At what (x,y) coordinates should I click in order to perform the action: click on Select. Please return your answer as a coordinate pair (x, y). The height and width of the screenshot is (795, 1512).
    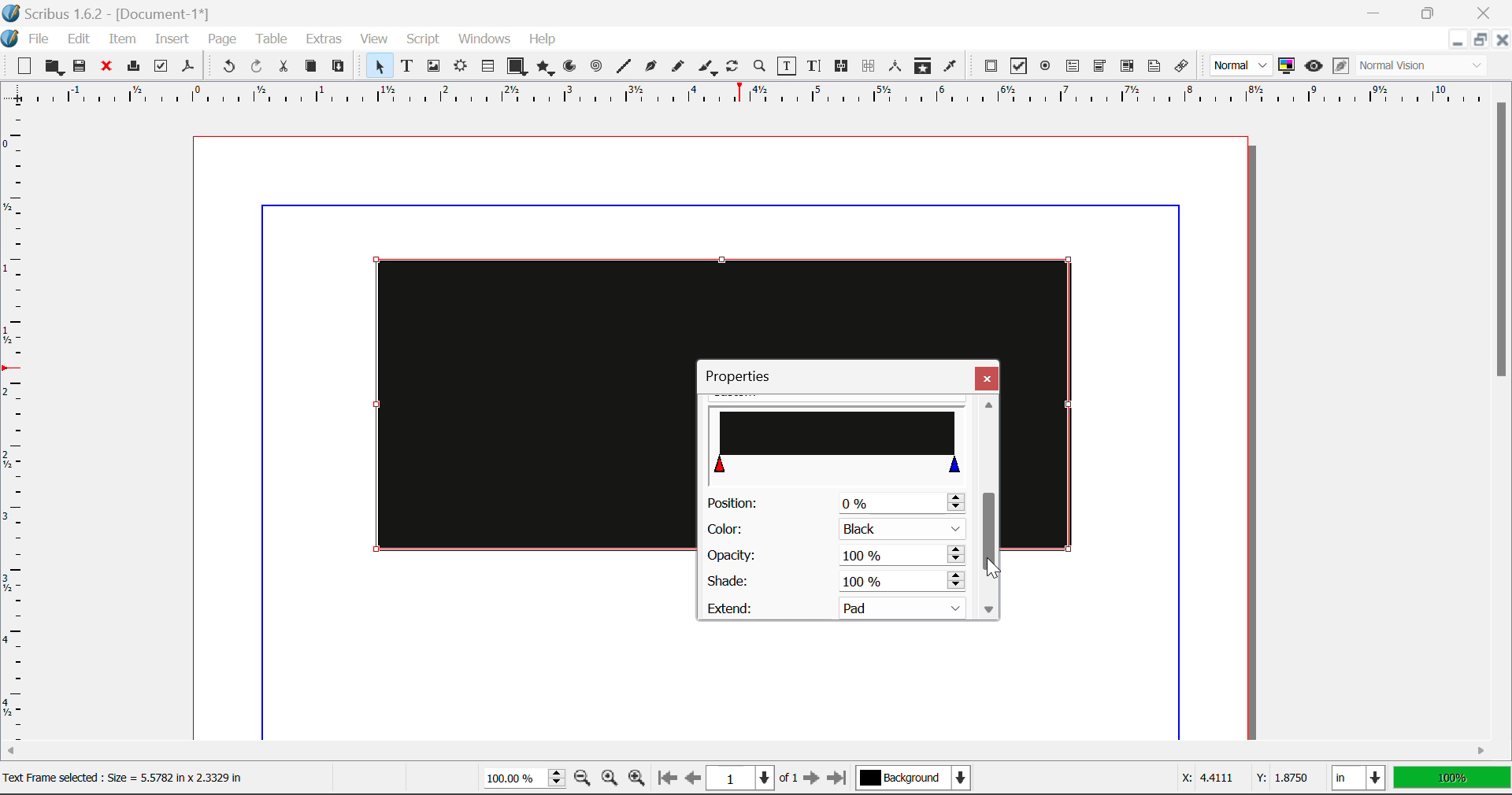
    Looking at the image, I should click on (378, 66).